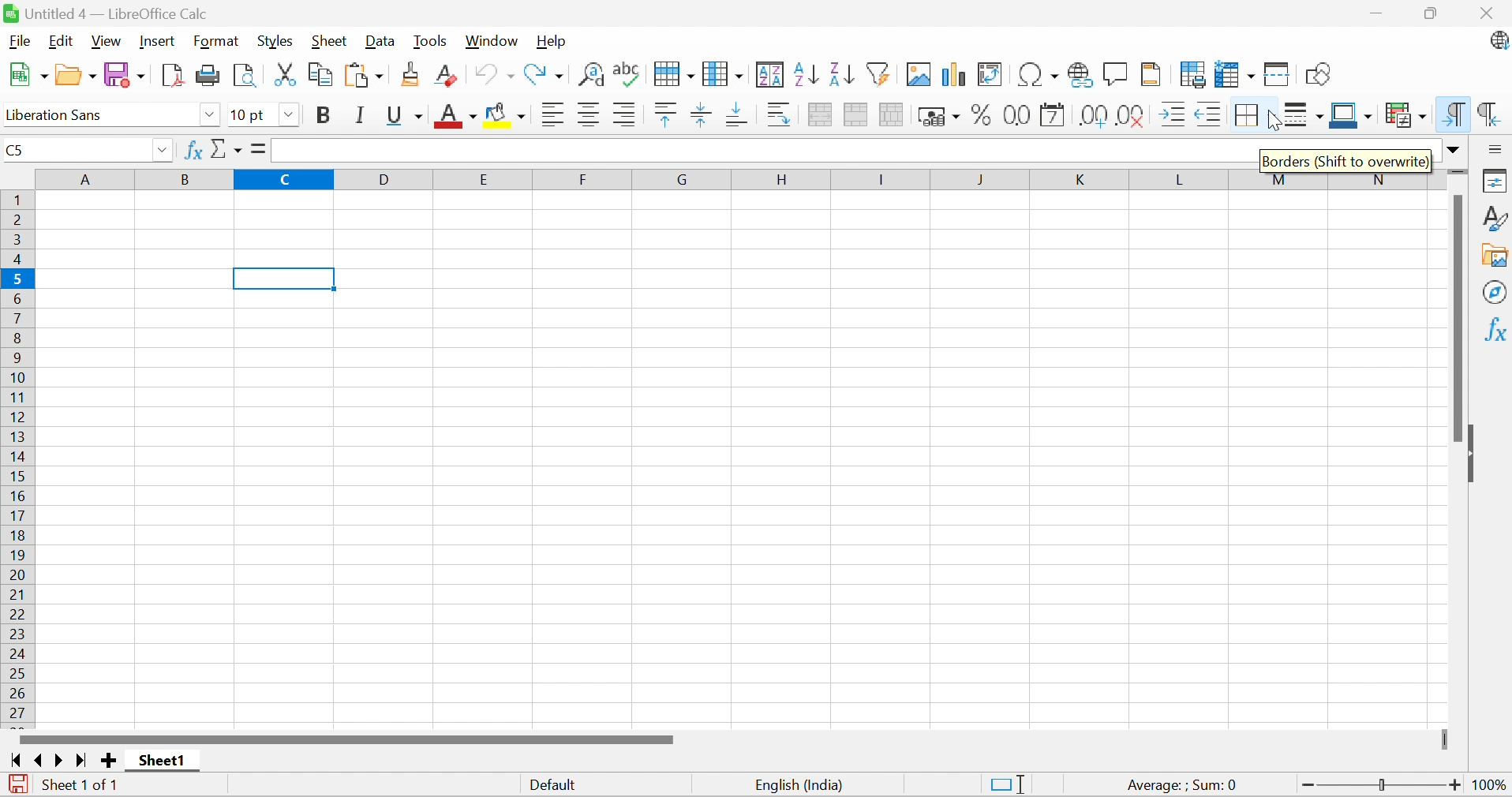  What do you see at coordinates (158, 41) in the screenshot?
I see `Insert` at bounding box center [158, 41].